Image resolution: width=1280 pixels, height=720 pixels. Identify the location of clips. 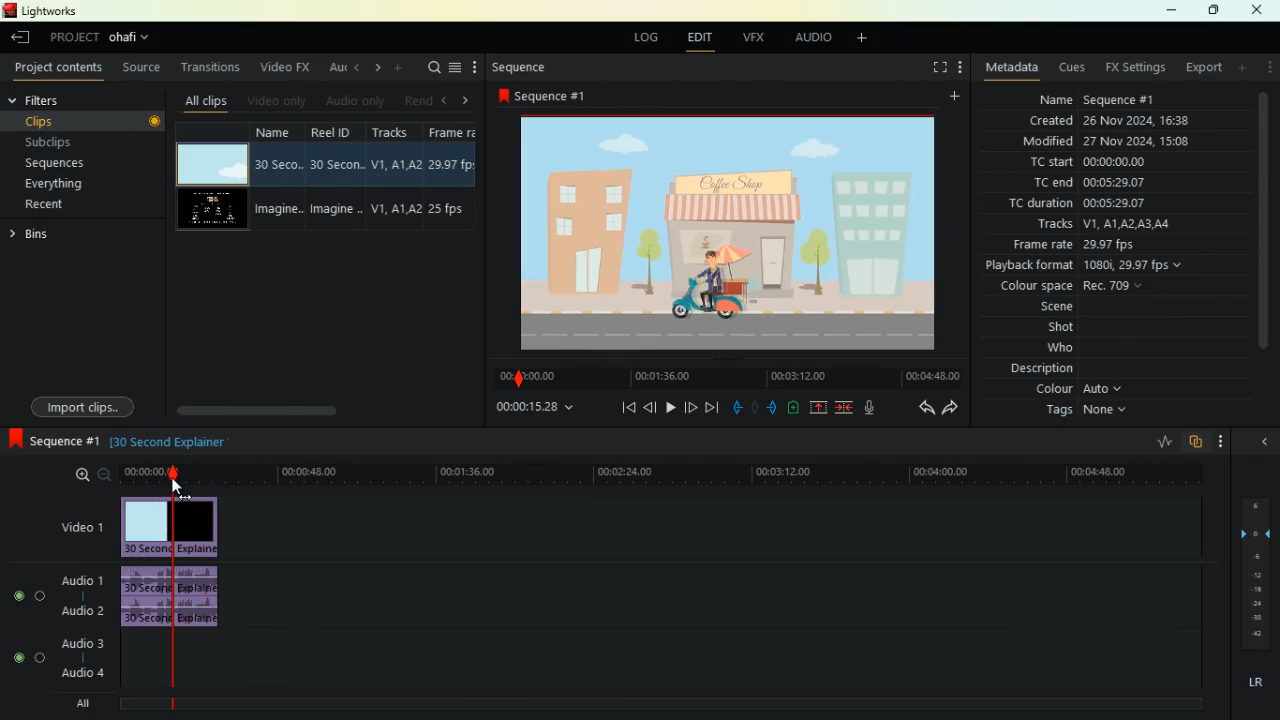
(91, 122).